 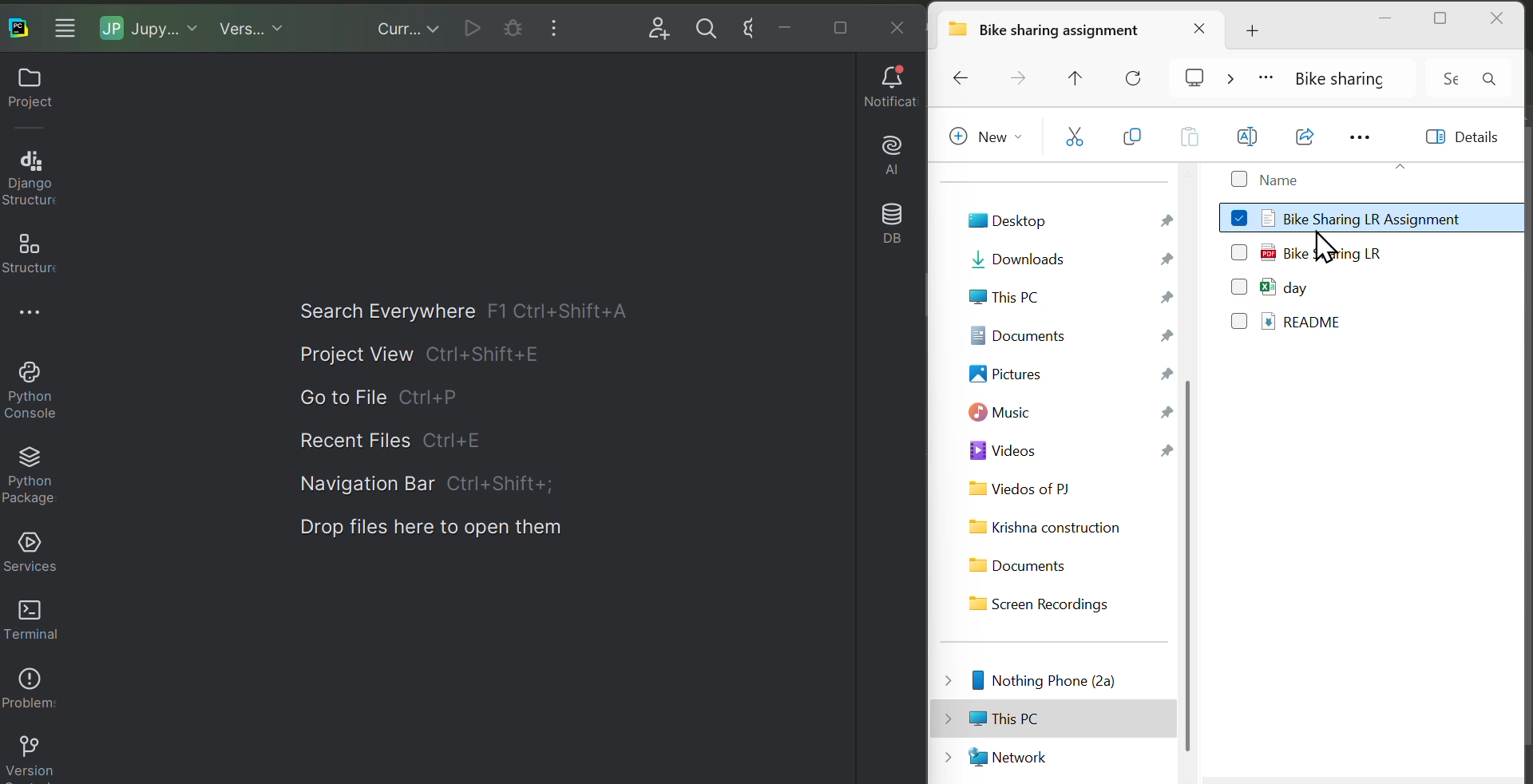 What do you see at coordinates (648, 26) in the screenshot?
I see `Add user` at bounding box center [648, 26].